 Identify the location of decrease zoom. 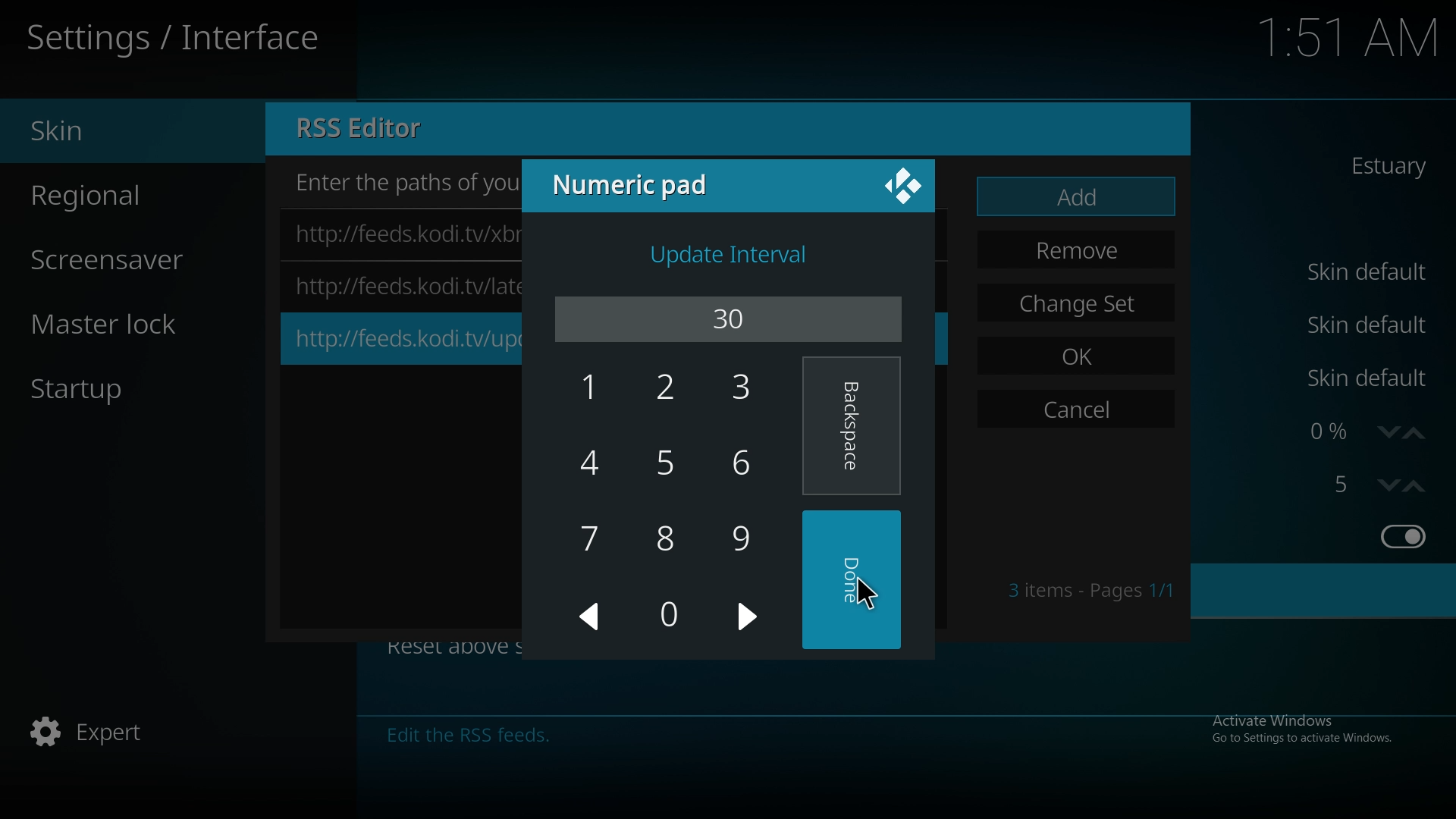
(1384, 485).